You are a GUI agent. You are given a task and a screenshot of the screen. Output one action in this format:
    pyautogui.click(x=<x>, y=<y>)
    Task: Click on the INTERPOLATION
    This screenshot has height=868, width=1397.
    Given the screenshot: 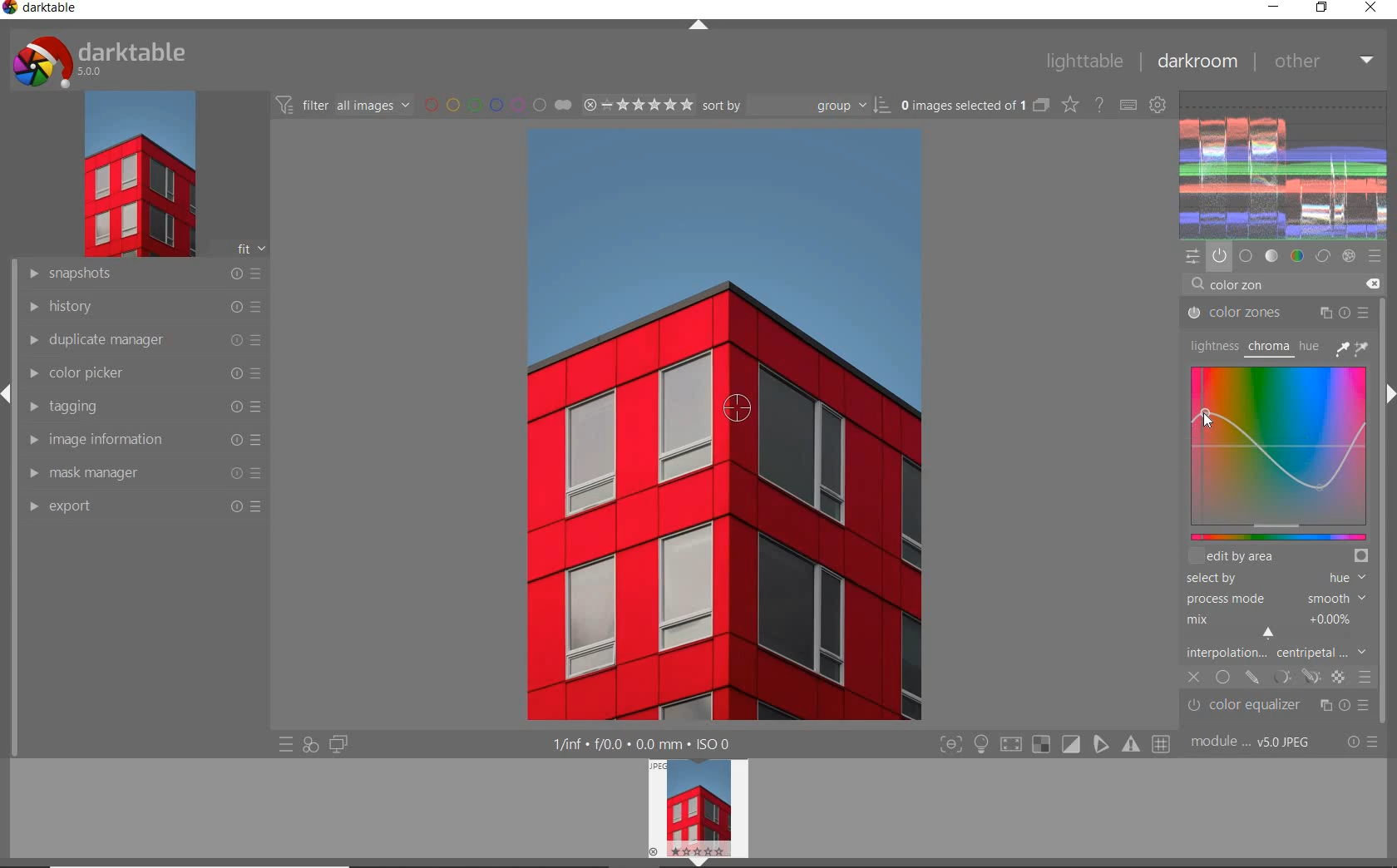 What is the action you would take?
    pyautogui.click(x=1276, y=652)
    